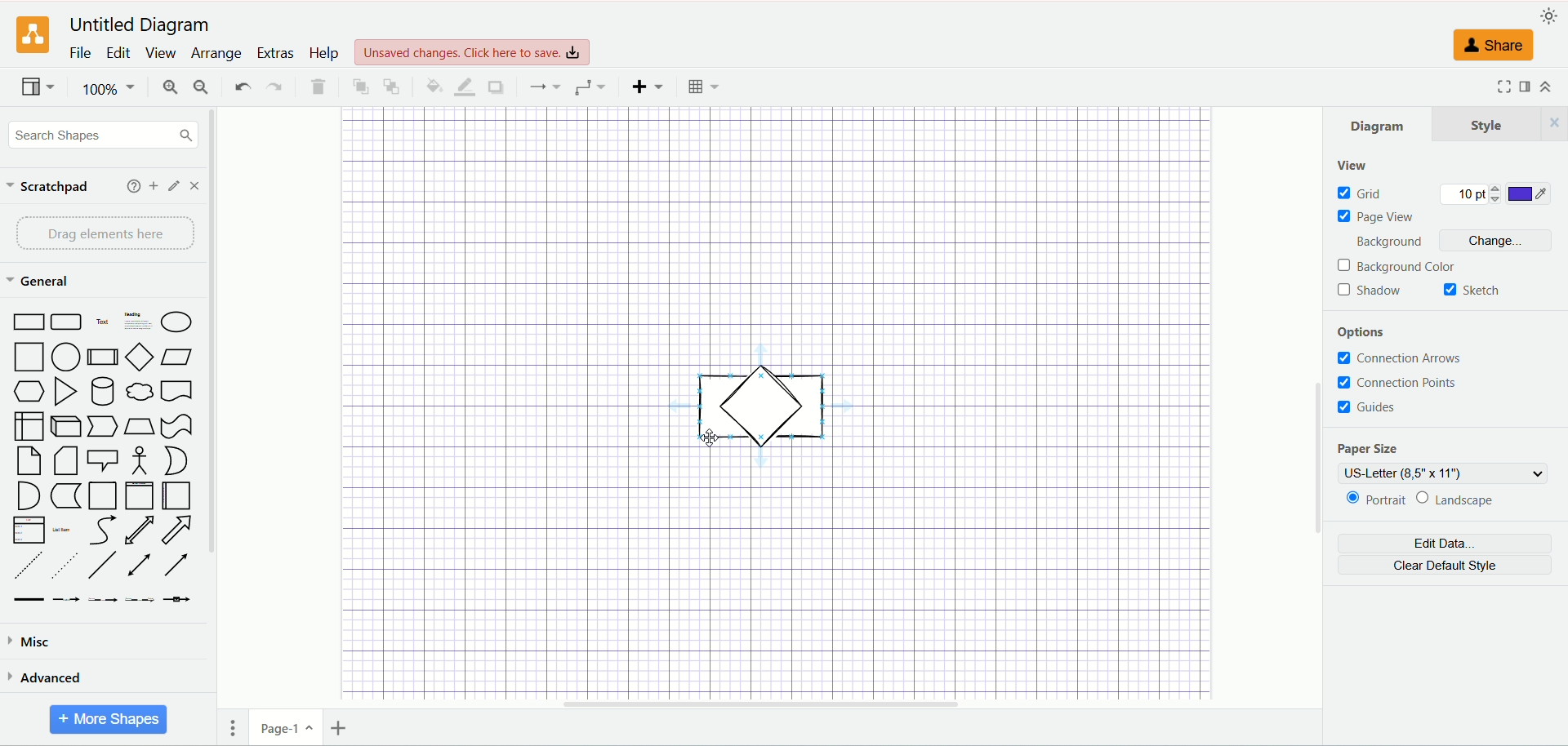 The height and width of the screenshot is (746, 1568). Describe the element at coordinates (319, 87) in the screenshot. I see `delete` at that location.